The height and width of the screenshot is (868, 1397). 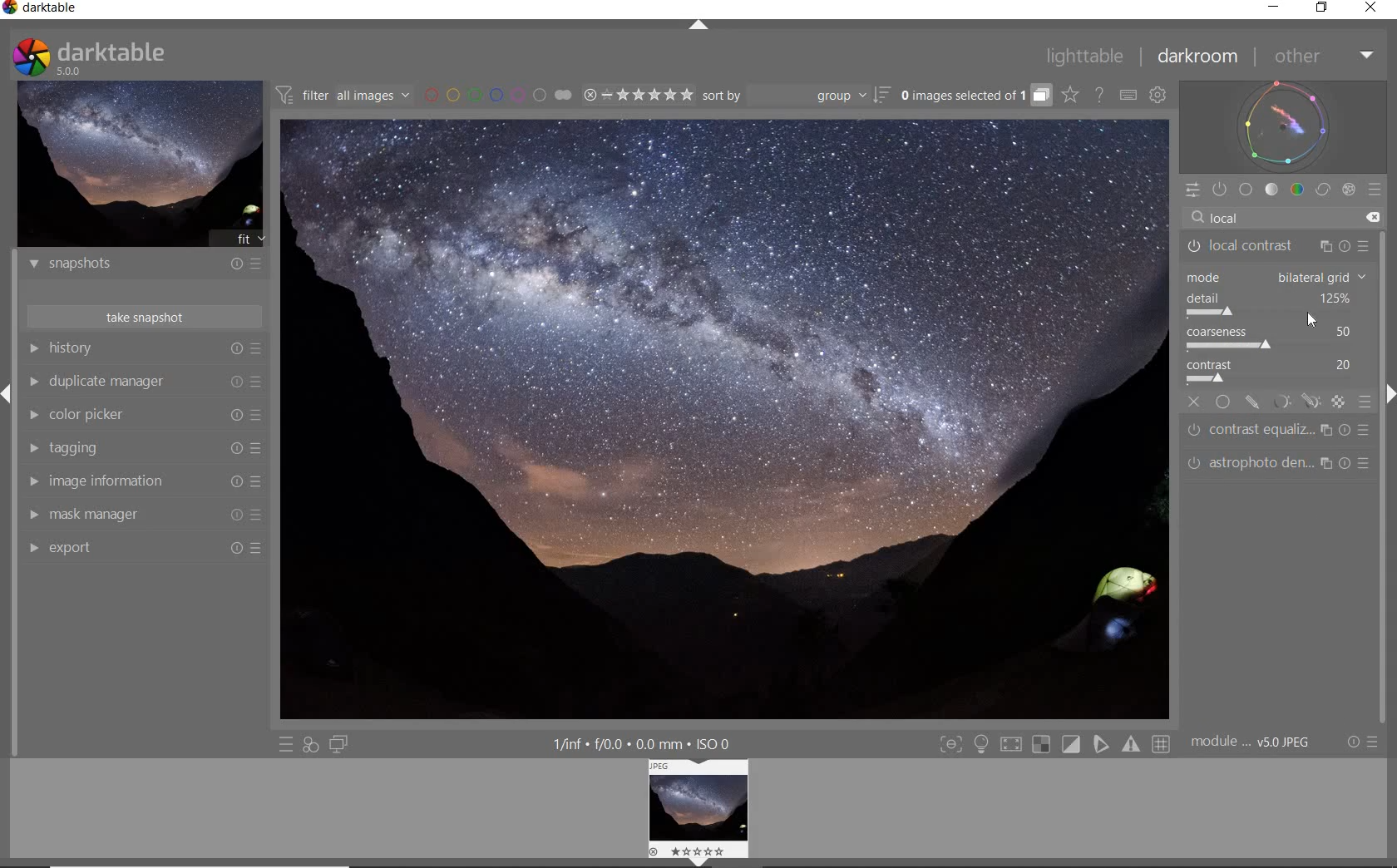 What do you see at coordinates (1325, 243) in the screenshot?
I see `multiple instance actions` at bounding box center [1325, 243].